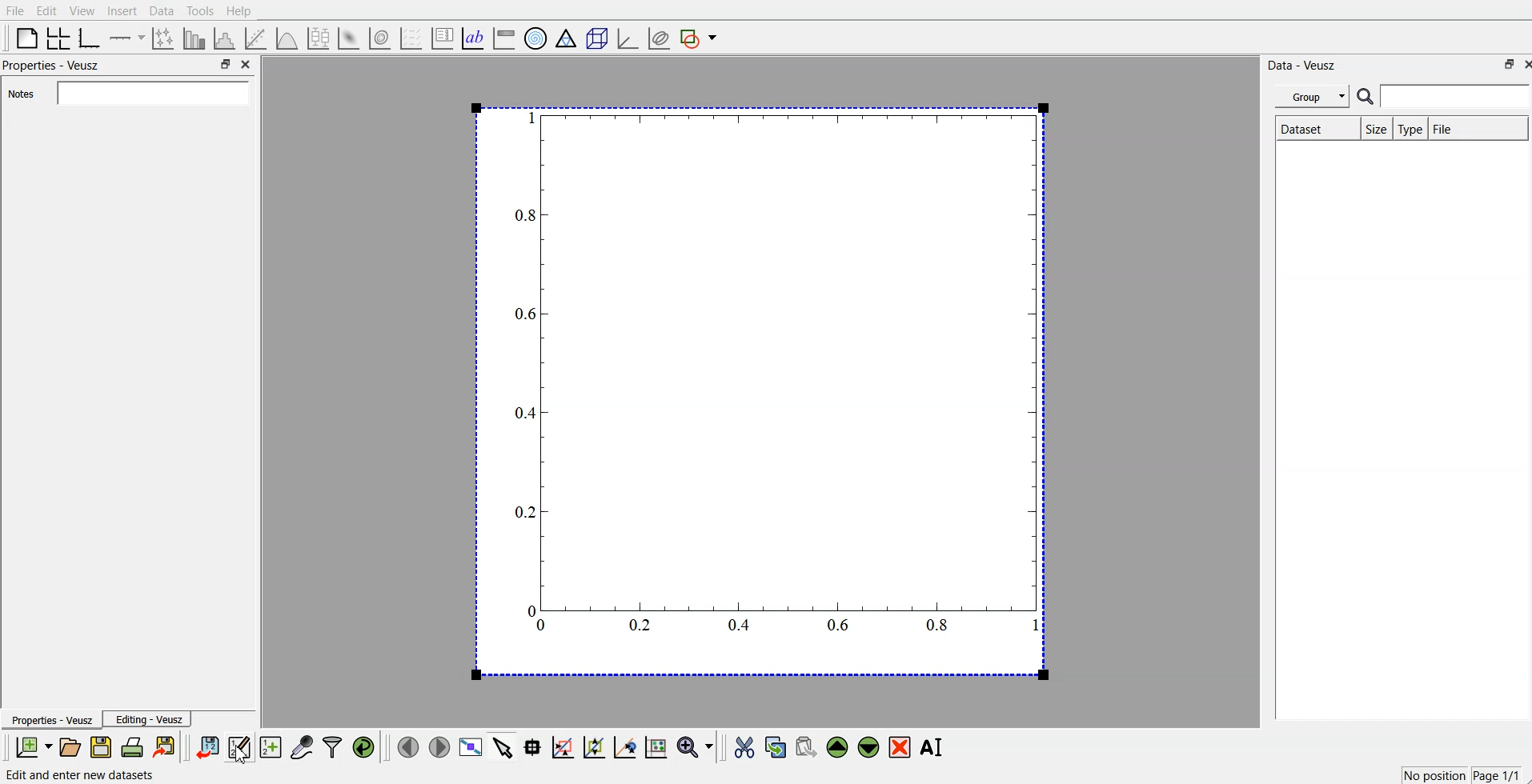 This screenshot has height=784, width=1532. What do you see at coordinates (746, 747) in the screenshot?
I see `cut the selected widgets` at bounding box center [746, 747].